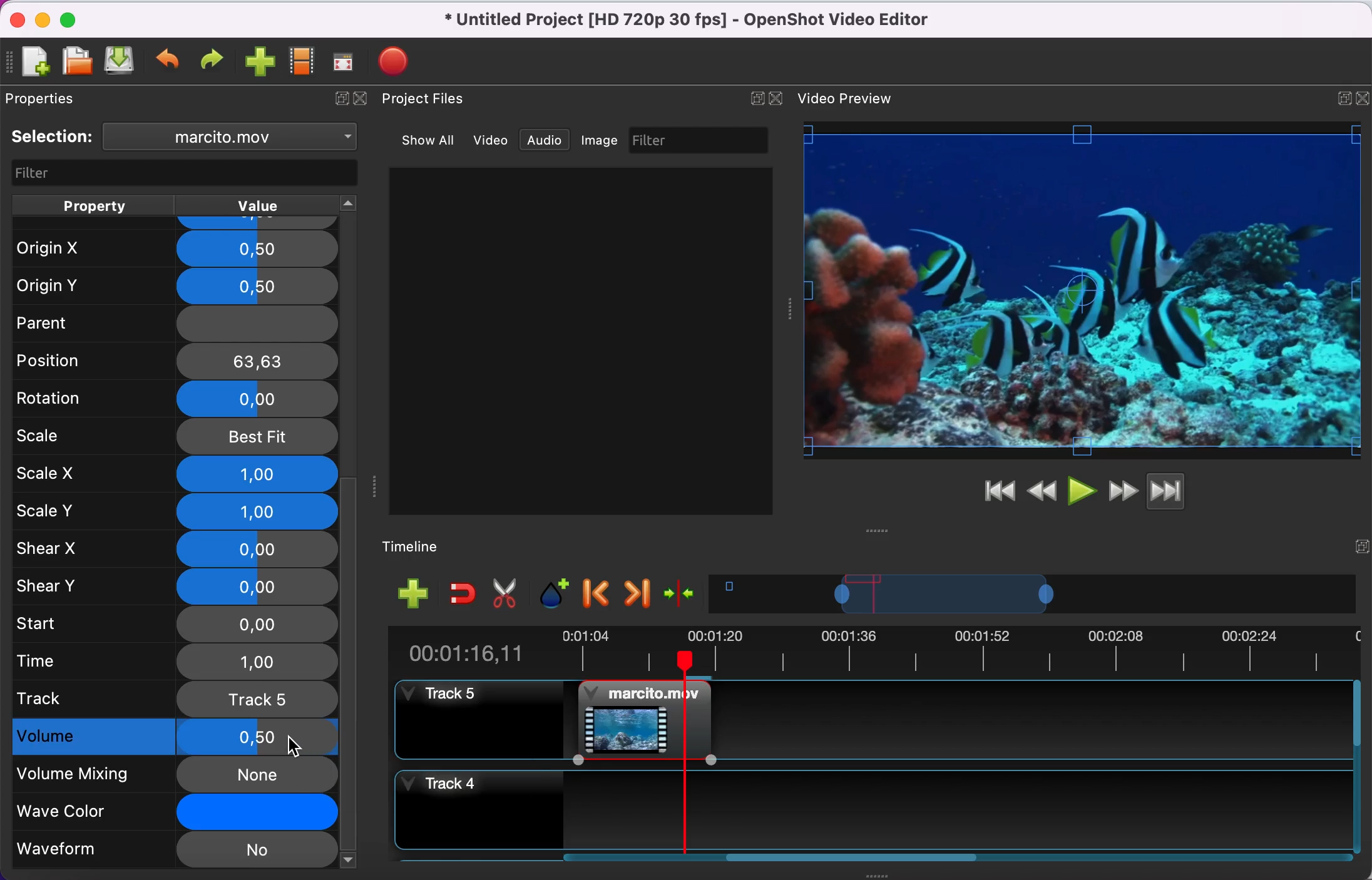  I want to click on open file, so click(76, 61).